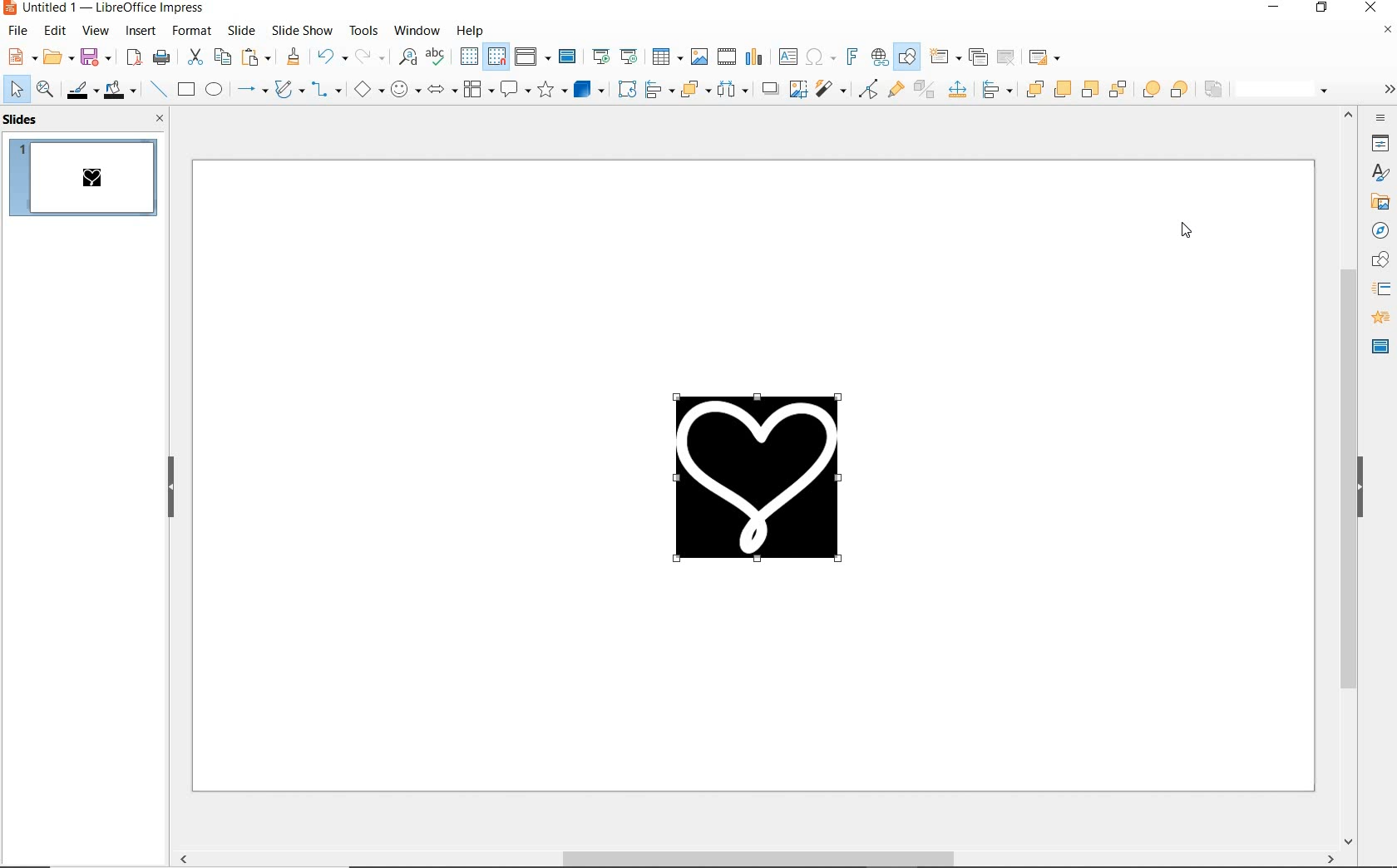  What do you see at coordinates (797, 89) in the screenshot?
I see `crop image` at bounding box center [797, 89].